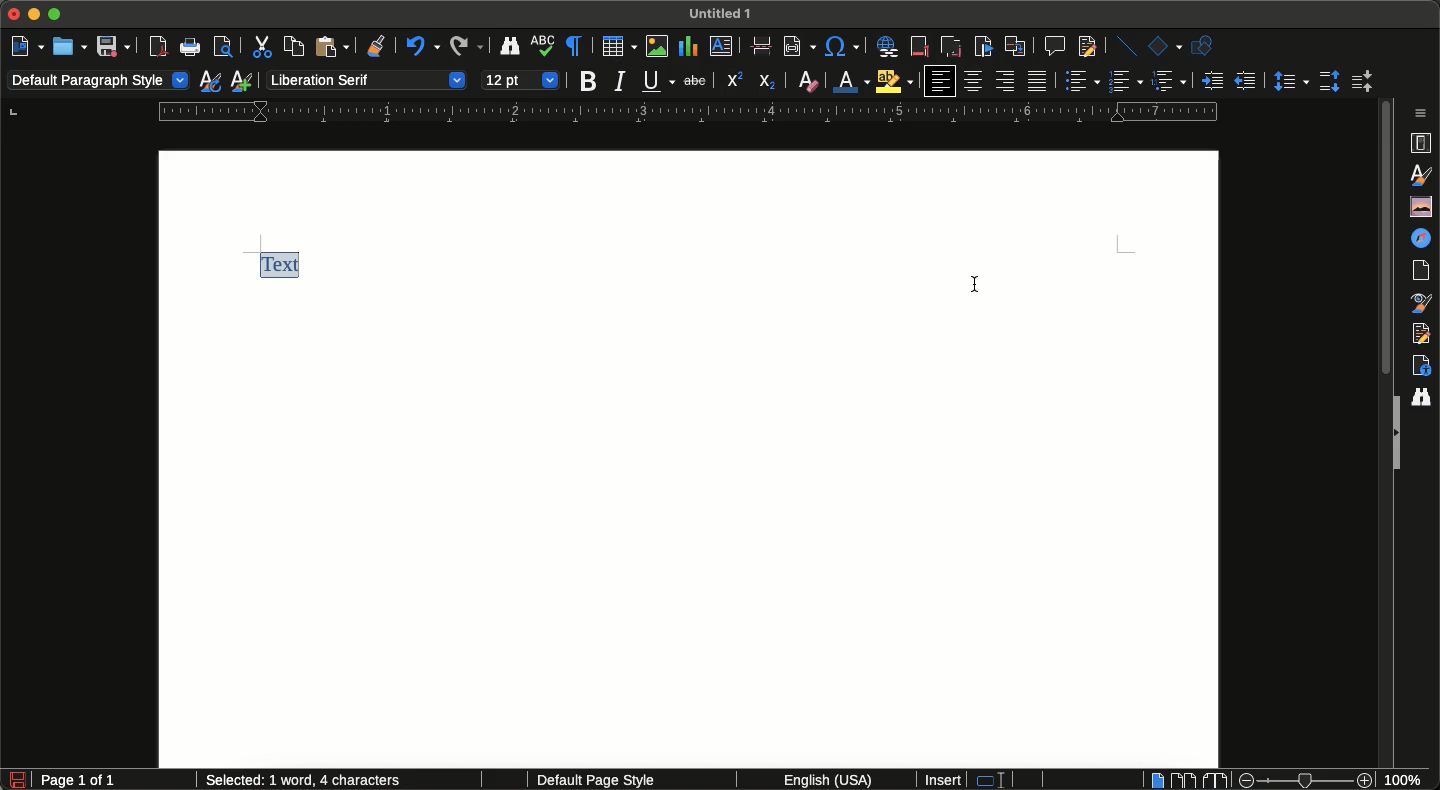 The image size is (1440, 790). What do you see at coordinates (1425, 271) in the screenshot?
I see `Page` at bounding box center [1425, 271].